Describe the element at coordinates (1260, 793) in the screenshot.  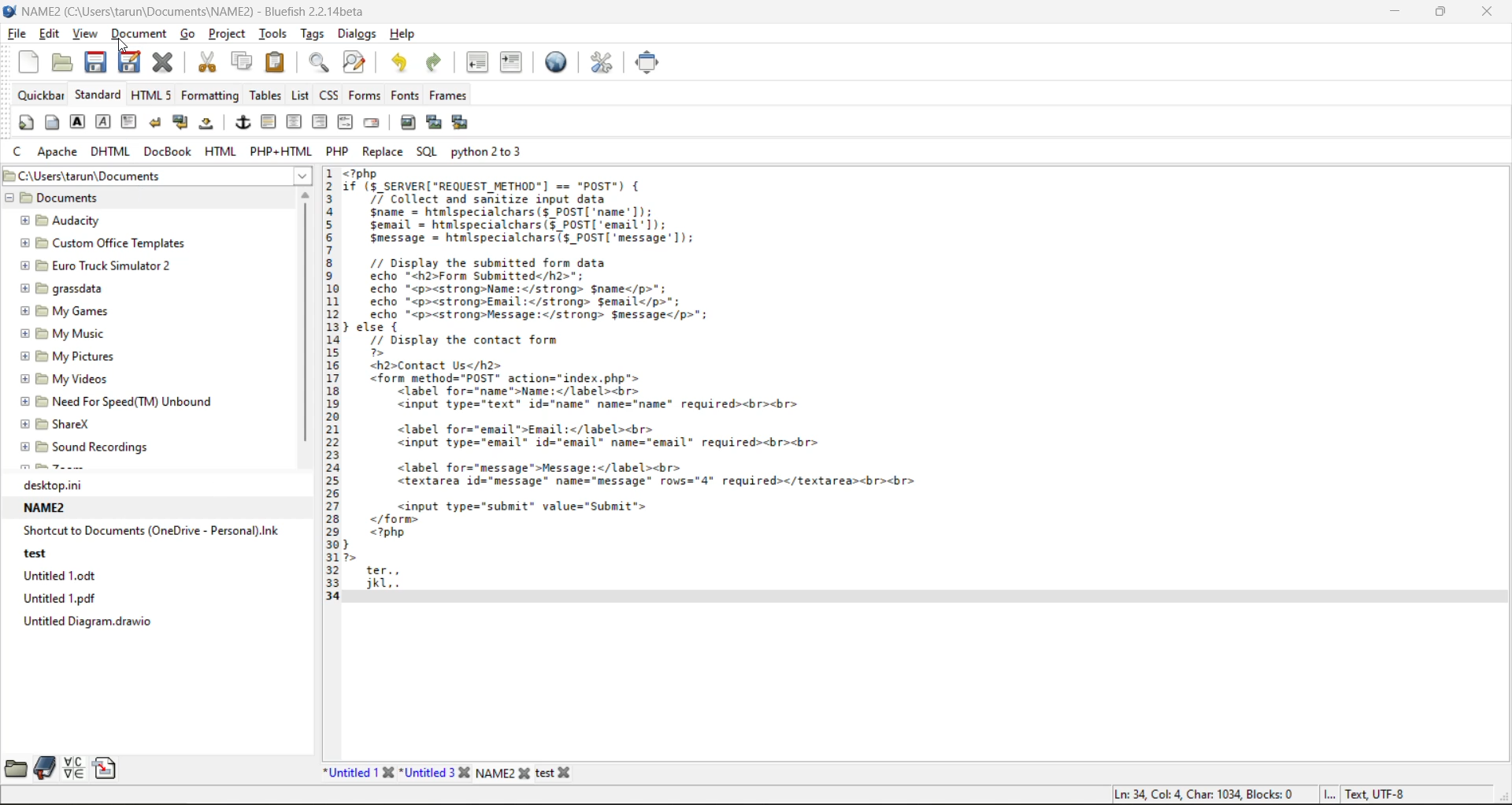
I see `metadata` at that location.